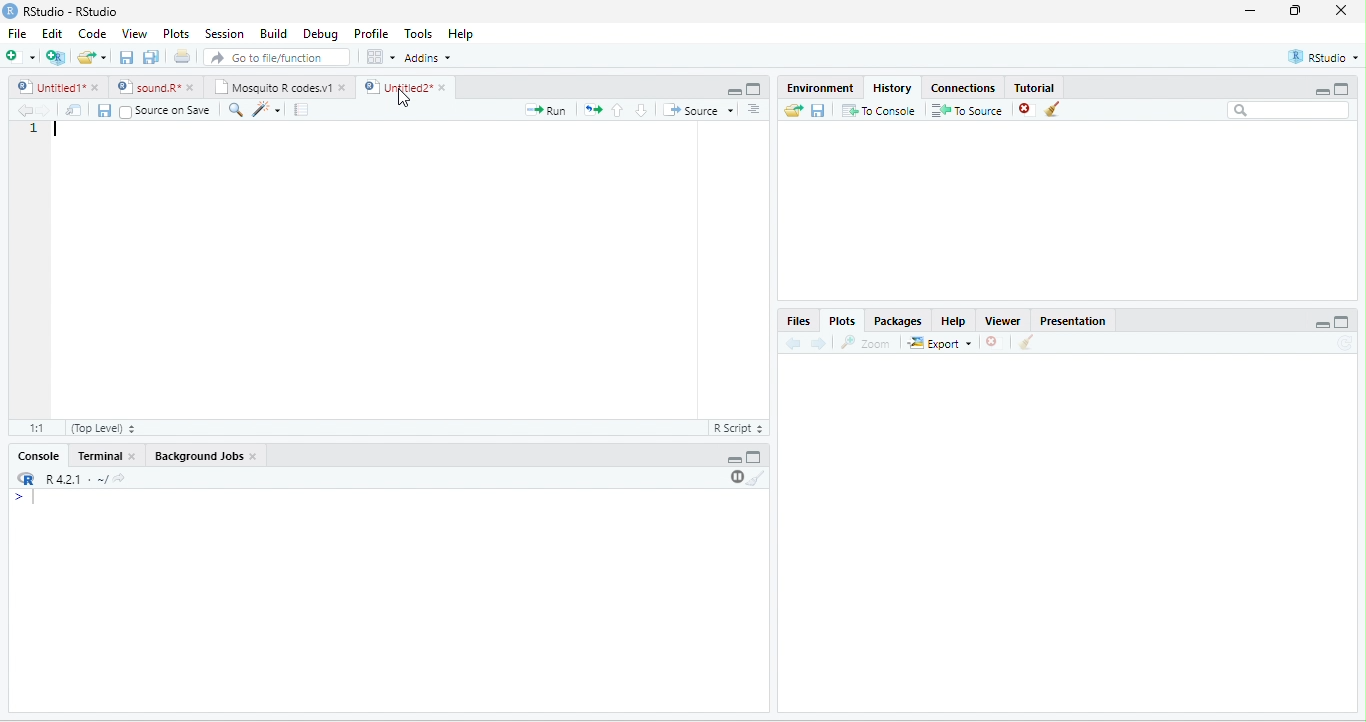 Image resolution: width=1366 pixels, height=722 pixels. What do you see at coordinates (103, 429) in the screenshot?
I see `Top Level` at bounding box center [103, 429].